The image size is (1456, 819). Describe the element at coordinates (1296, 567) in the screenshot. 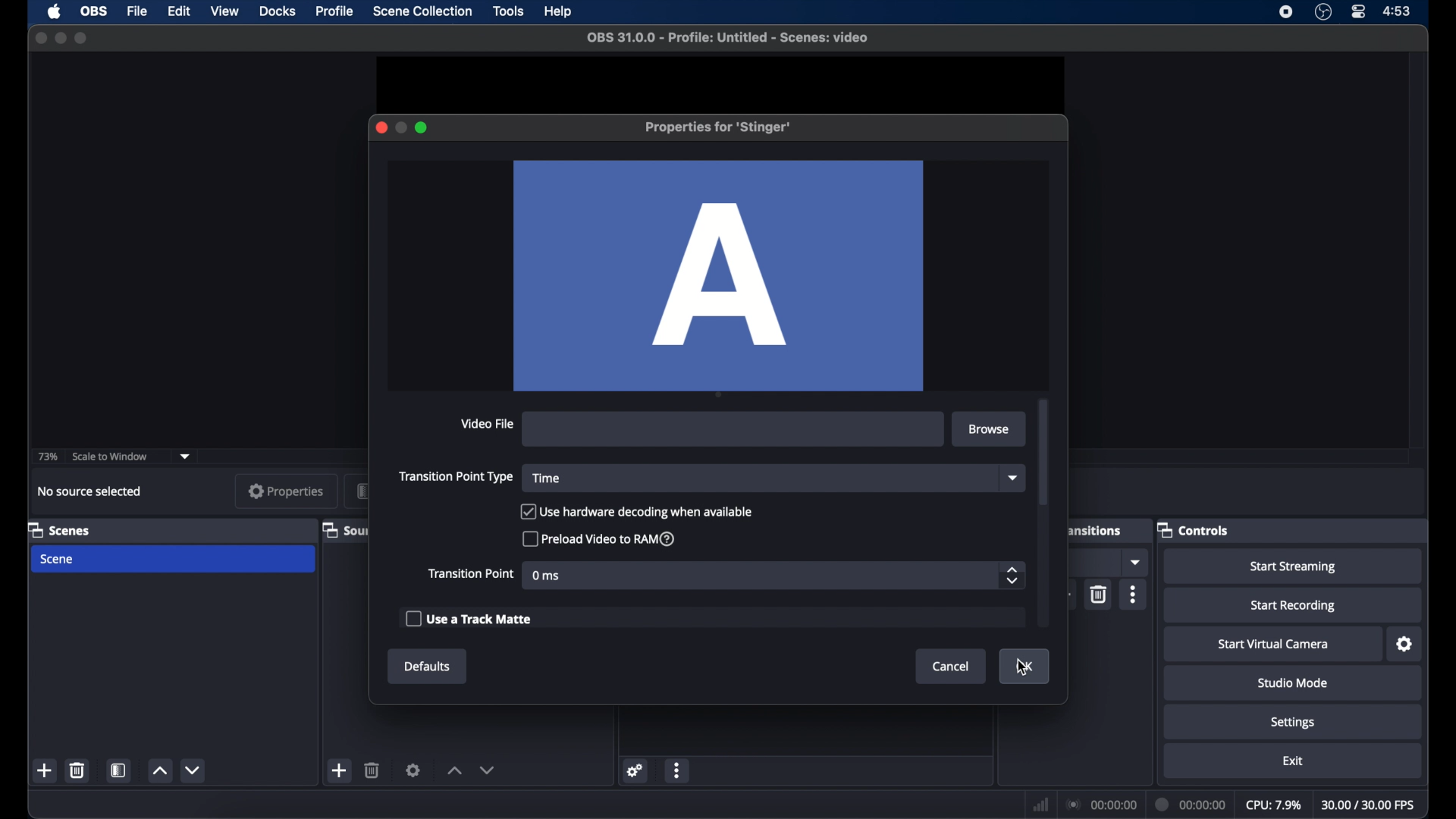

I see `start streaming` at that location.